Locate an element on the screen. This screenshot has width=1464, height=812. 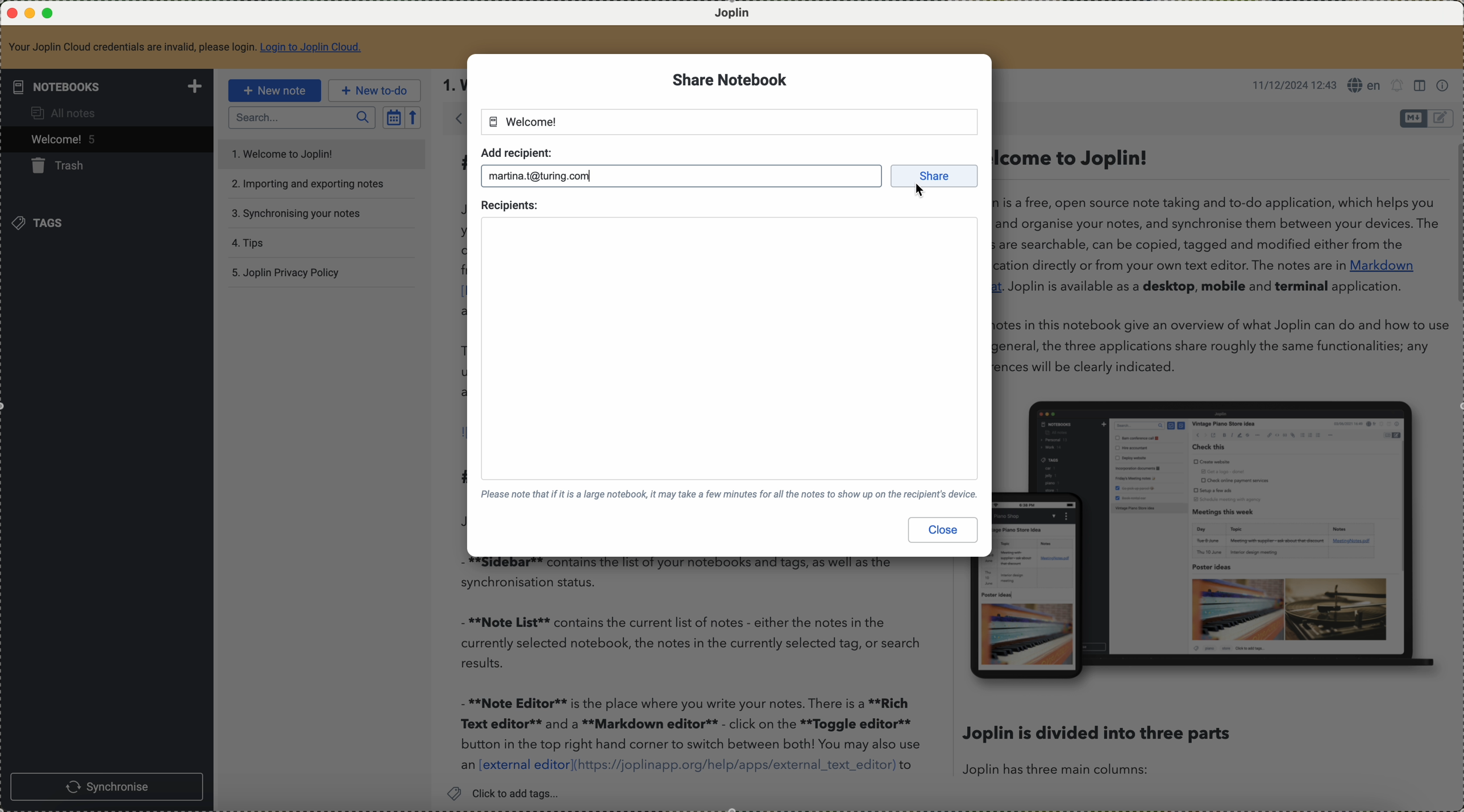
toggle editor is located at coordinates (1442, 118).